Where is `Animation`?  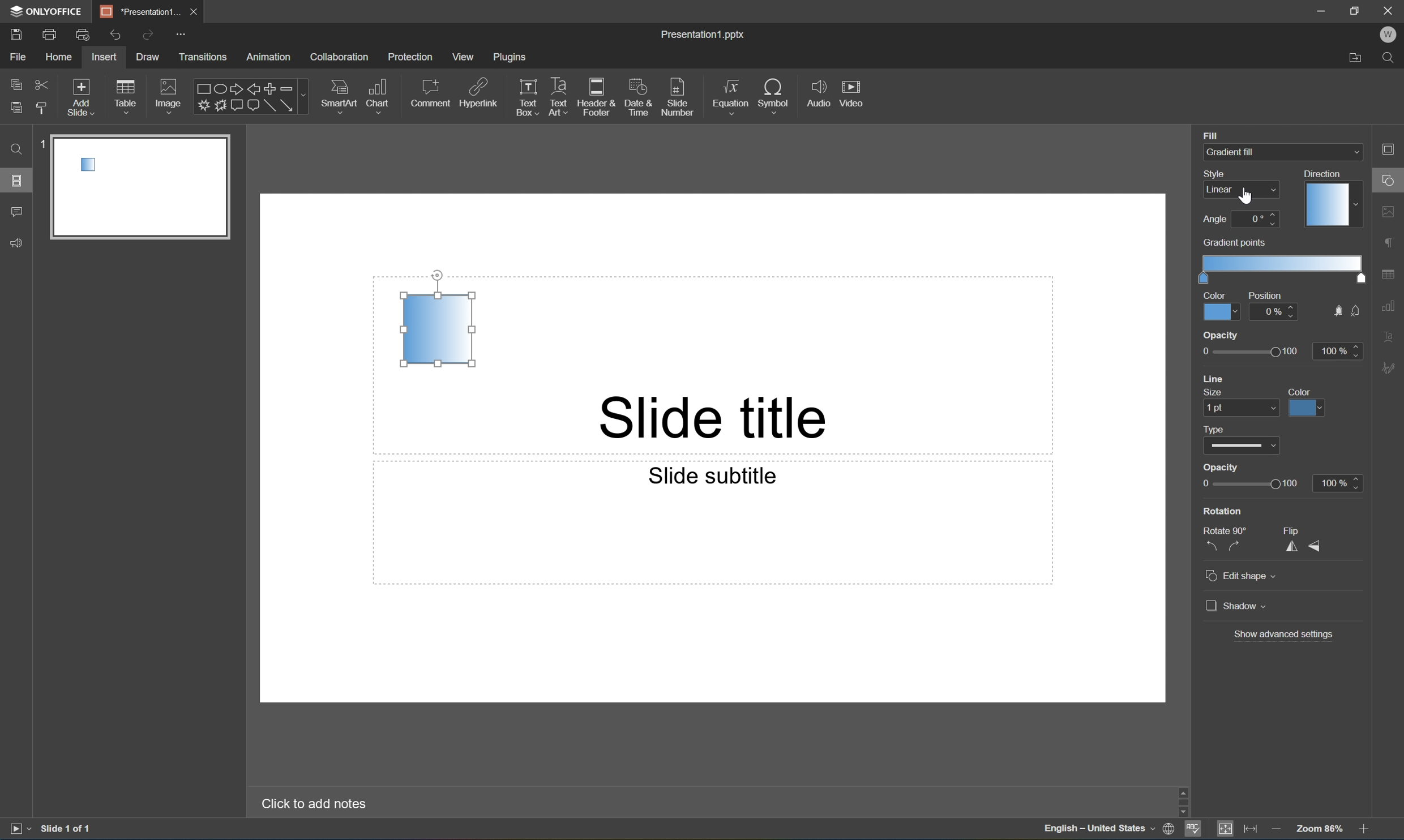
Animation is located at coordinates (268, 58).